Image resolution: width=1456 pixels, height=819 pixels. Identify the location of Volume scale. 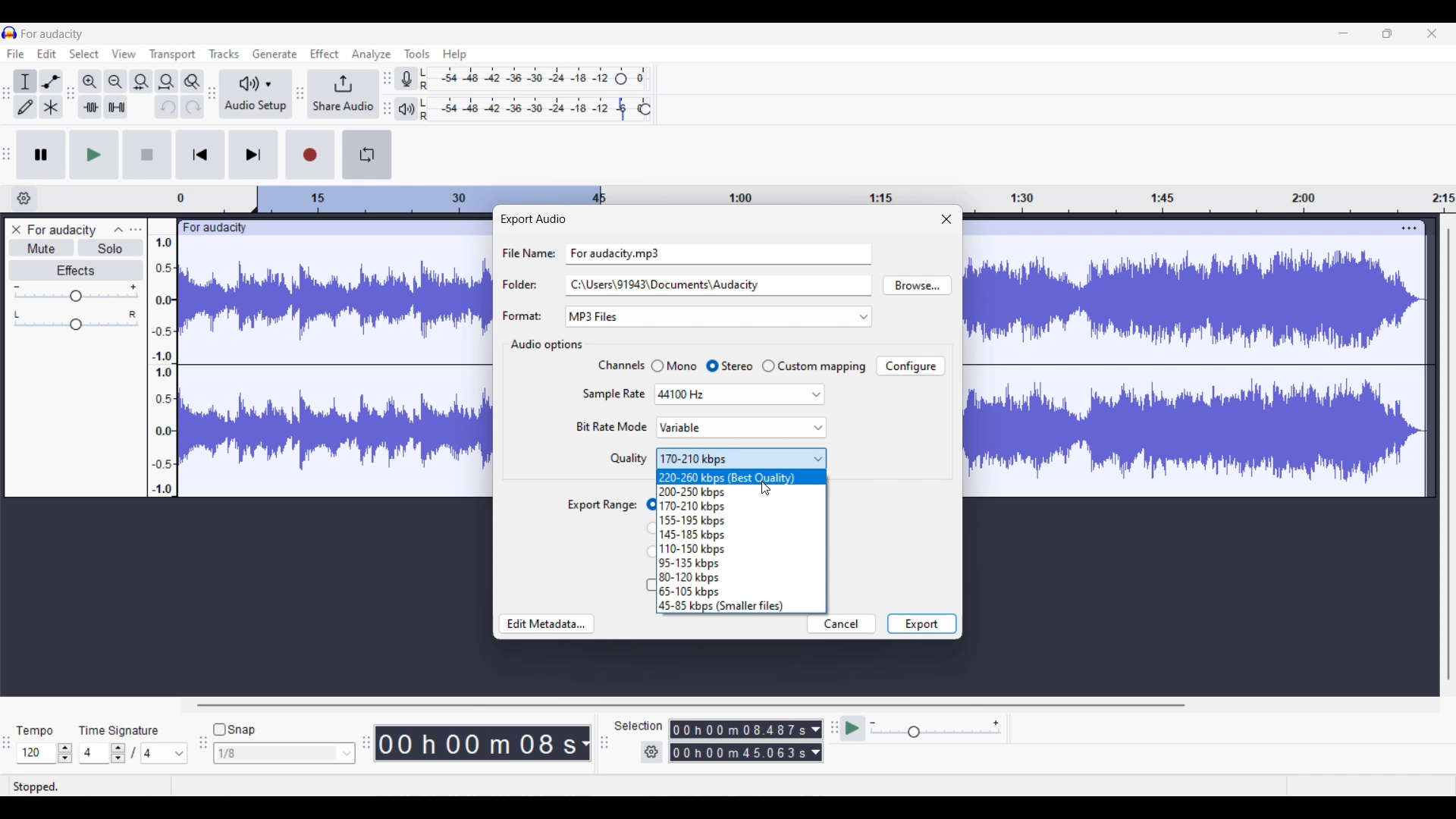
(76, 293).